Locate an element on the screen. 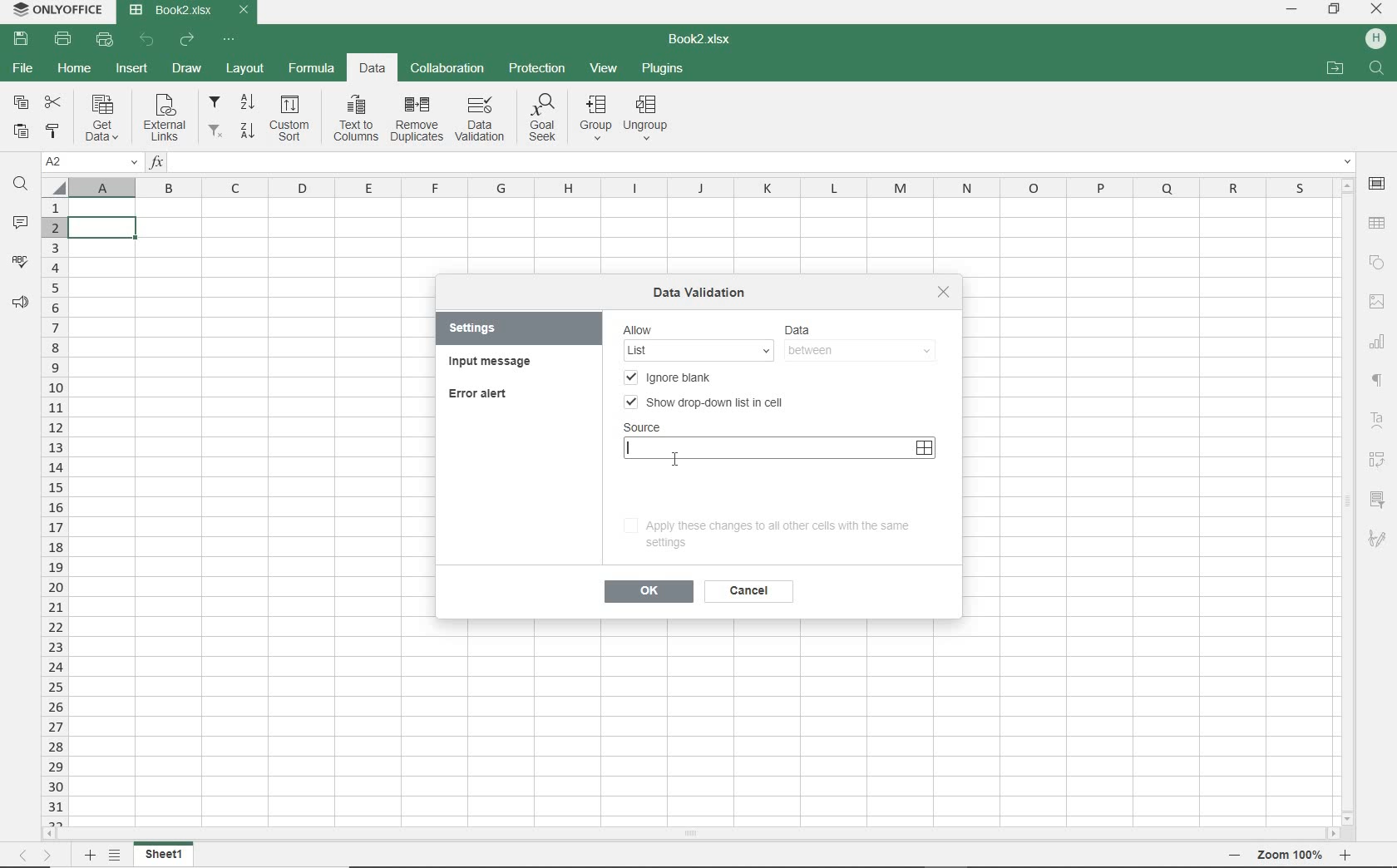 This screenshot has width=1397, height=868. SAVE is located at coordinates (19, 38).